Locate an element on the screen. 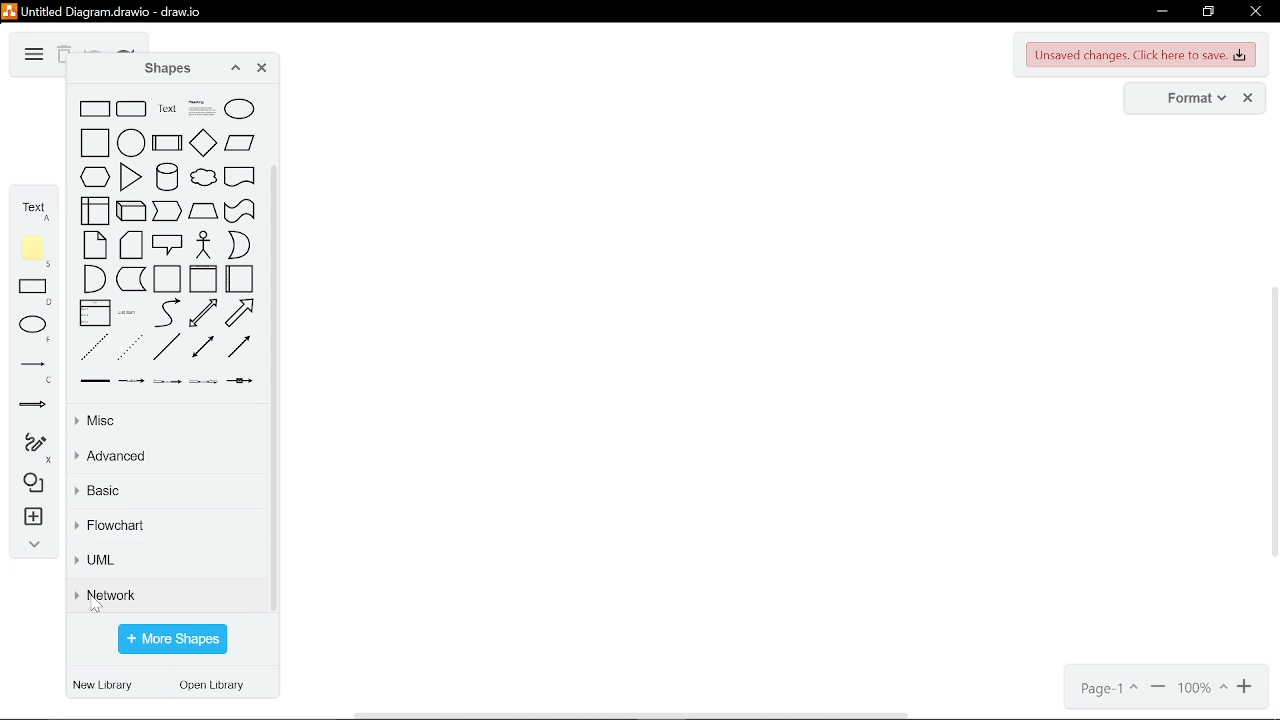  step is located at coordinates (168, 211).